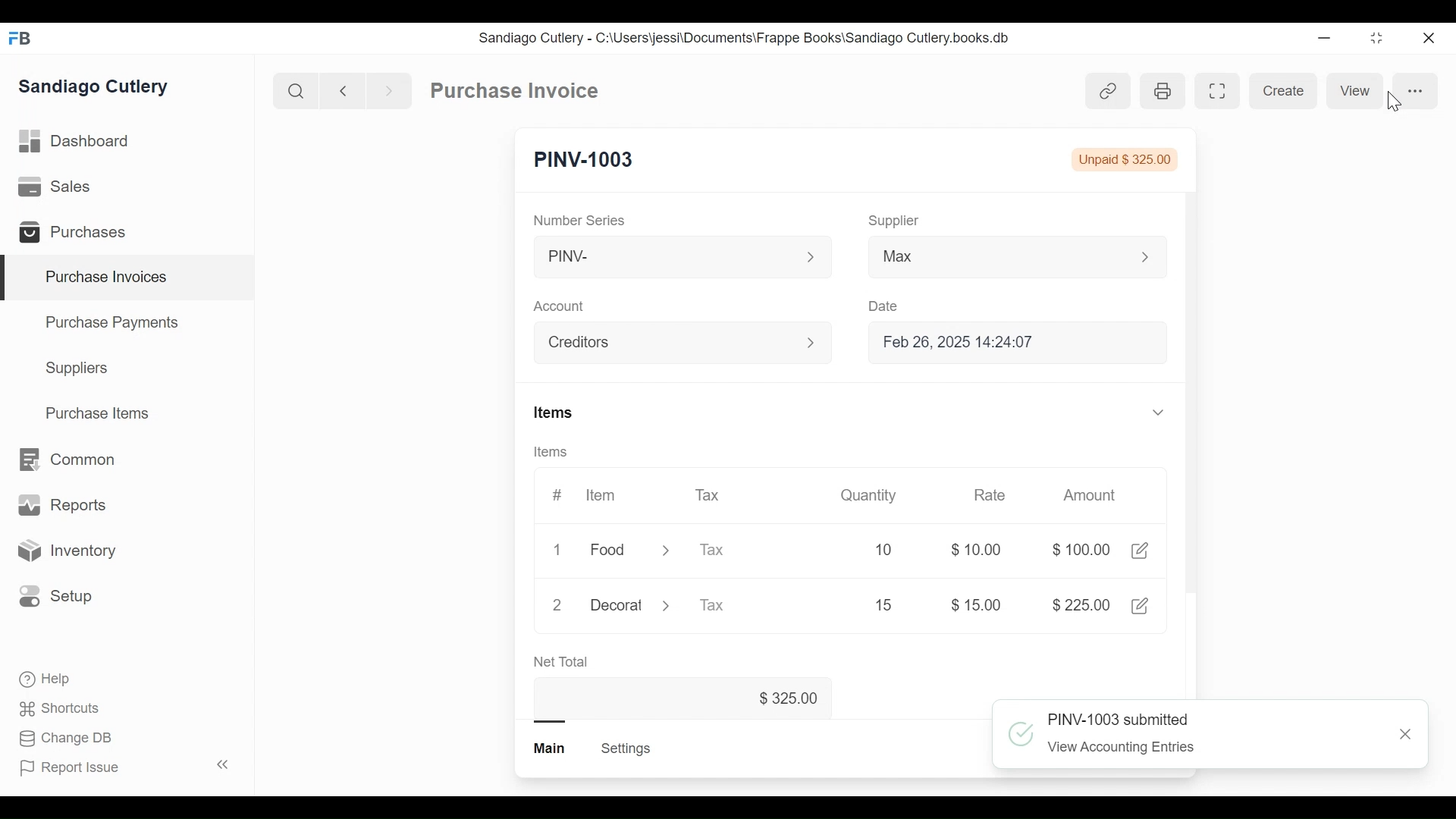  What do you see at coordinates (296, 90) in the screenshot?
I see `Search` at bounding box center [296, 90].